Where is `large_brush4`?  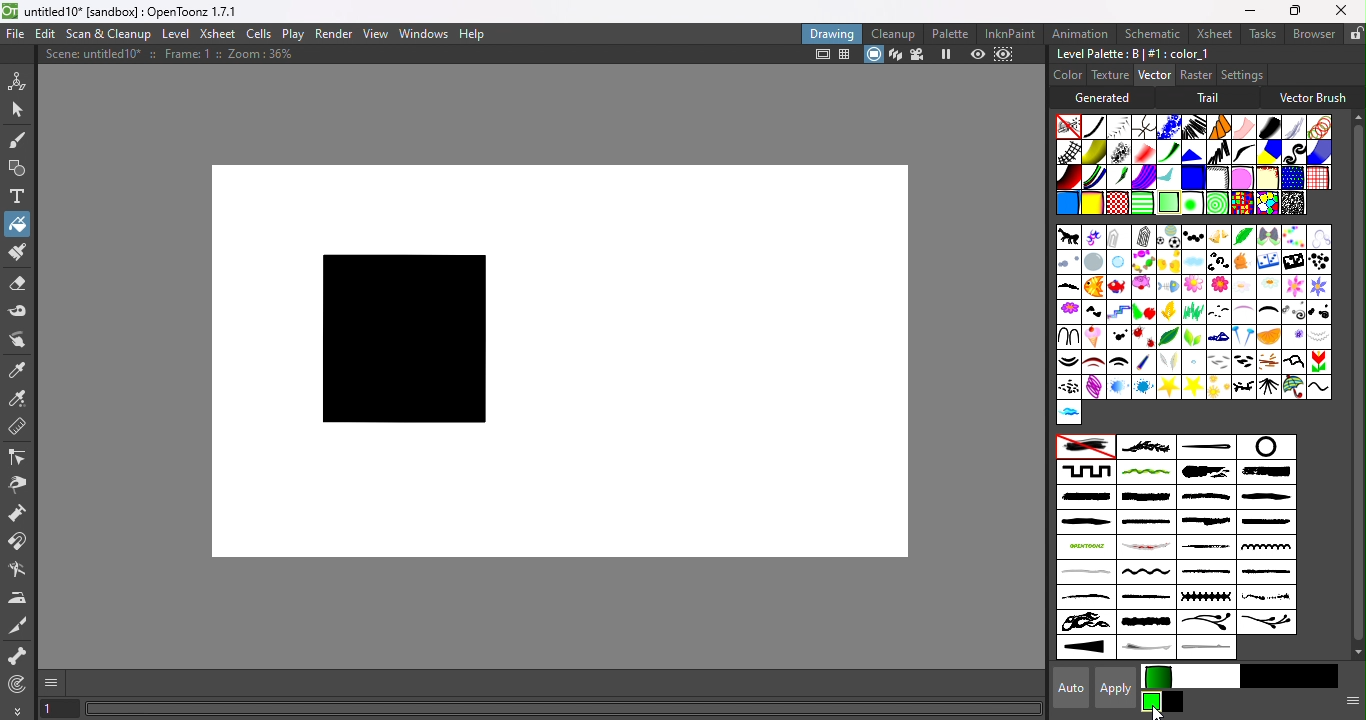
large_brush4 is located at coordinates (1145, 498).